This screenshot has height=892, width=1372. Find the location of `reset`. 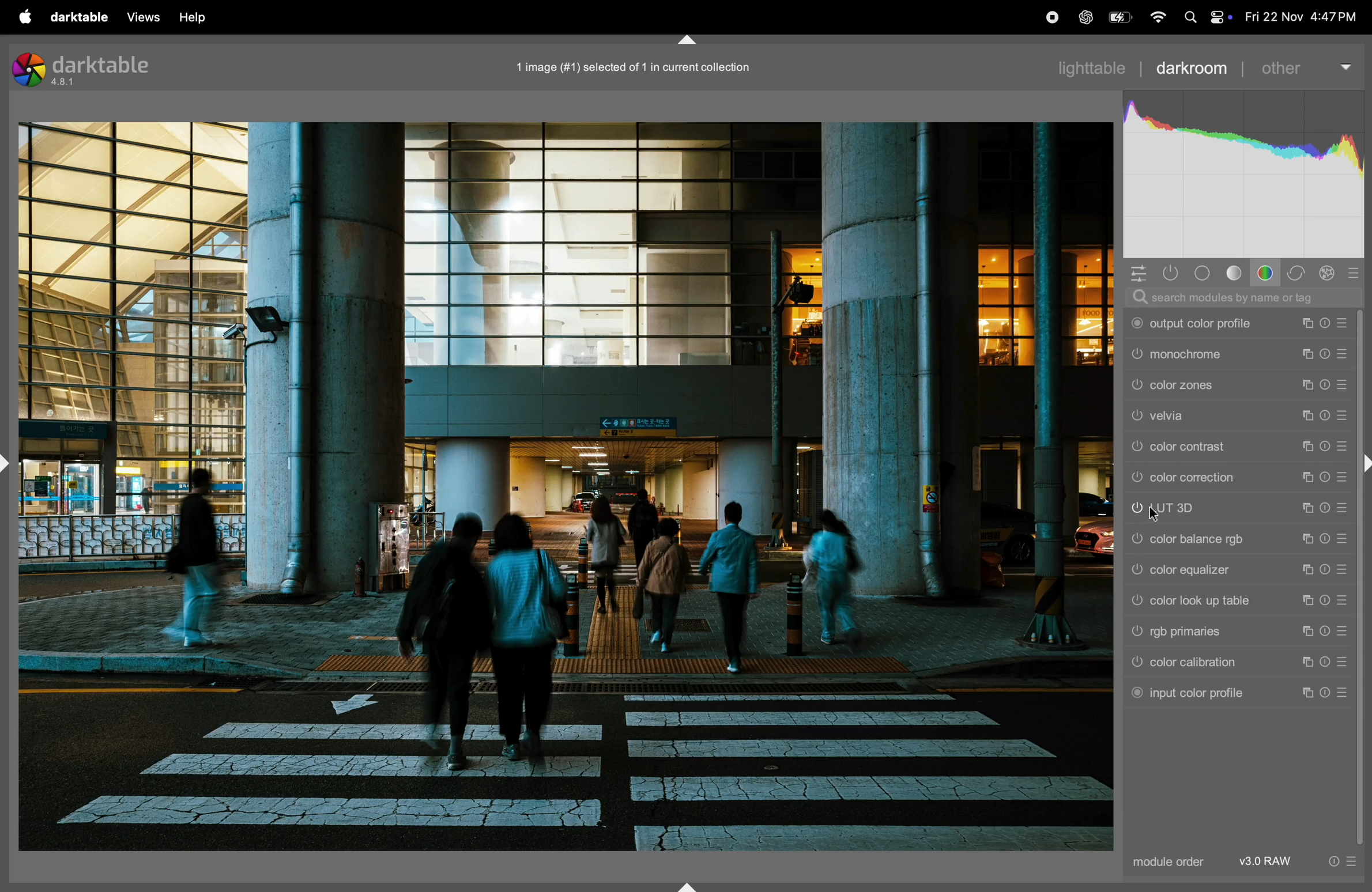

reset is located at coordinates (1325, 568).